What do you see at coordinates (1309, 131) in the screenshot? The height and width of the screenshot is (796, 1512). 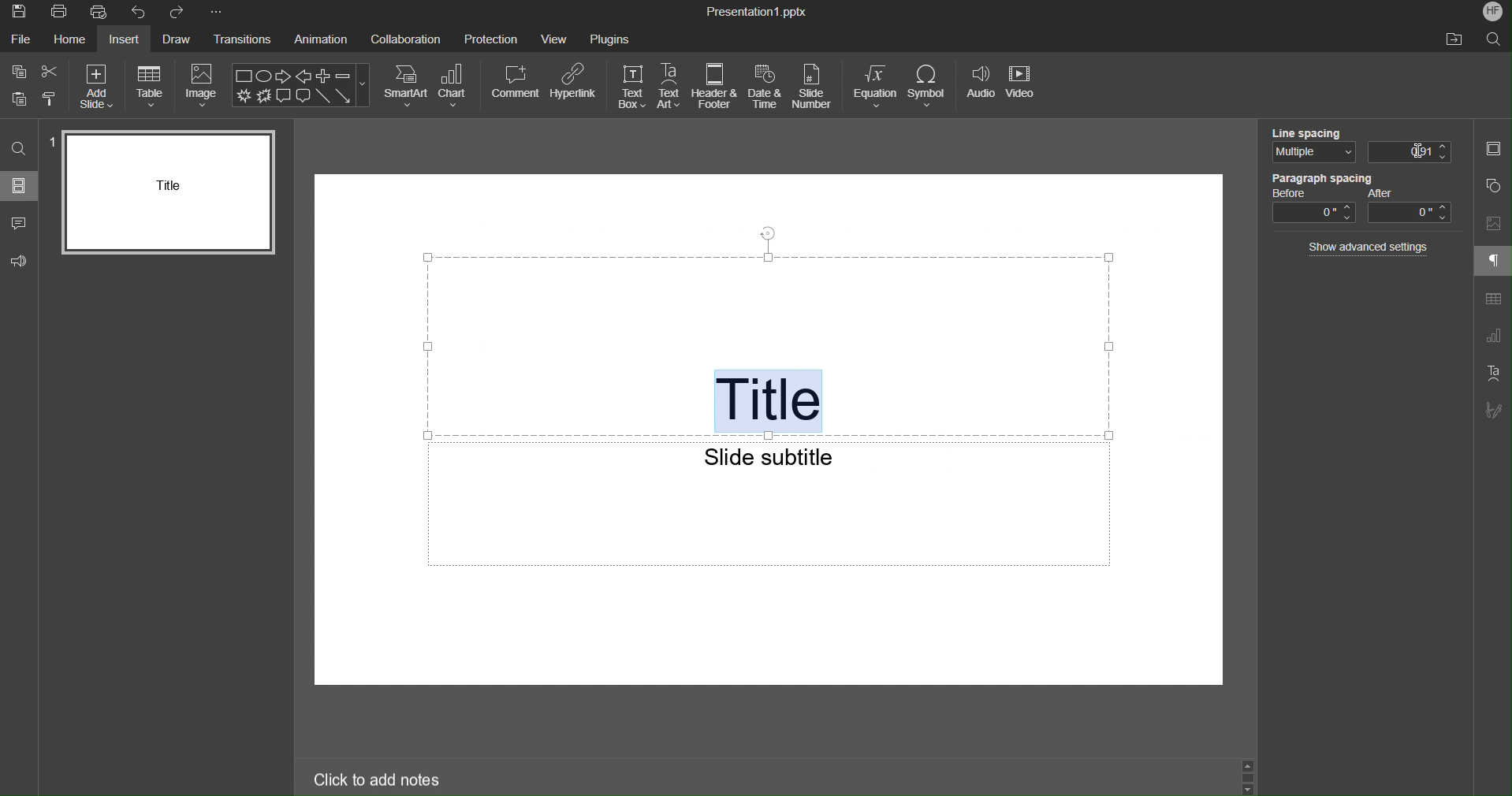 I see `Line Spacing ` at bounding box center [1309, 131].